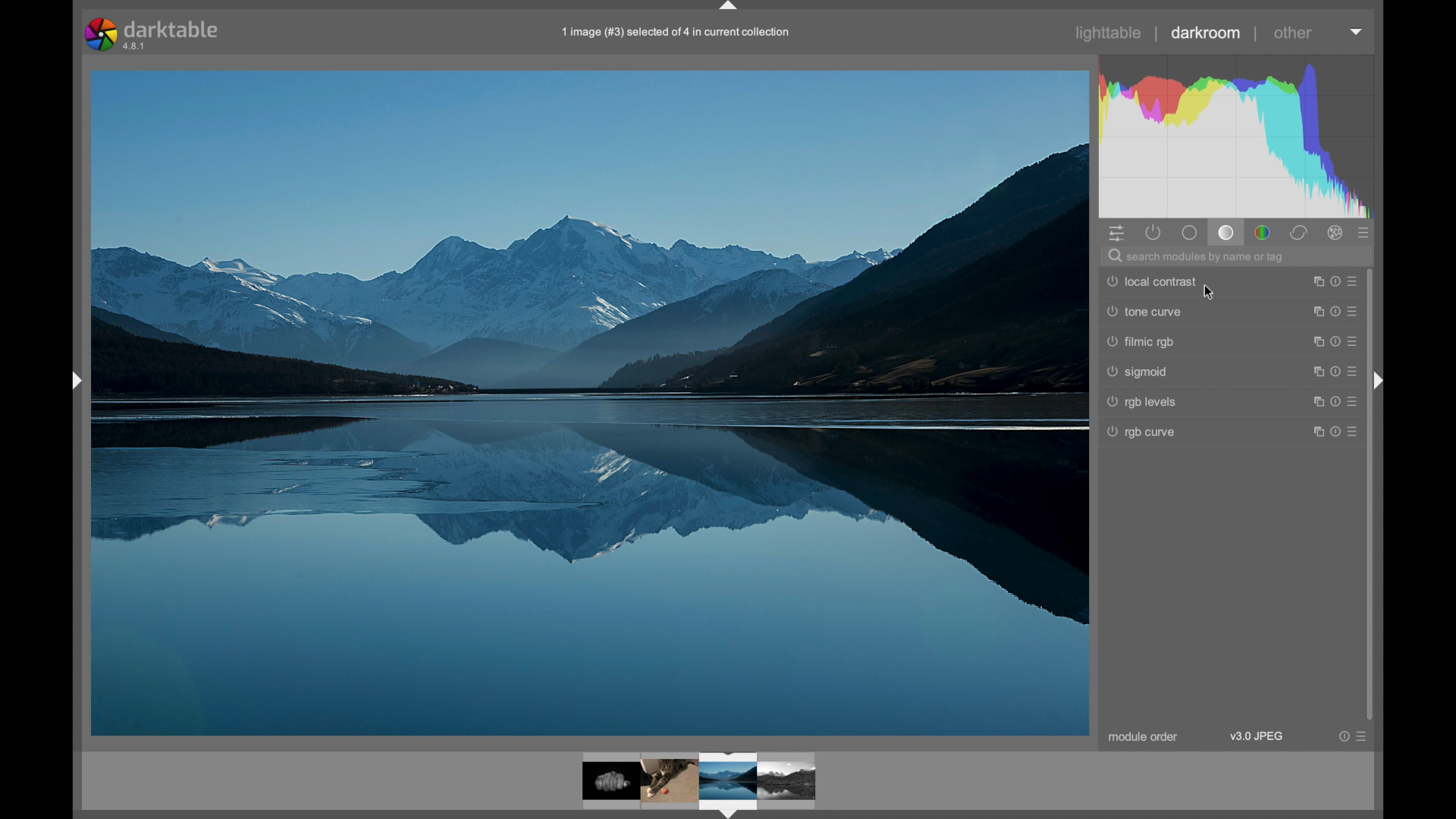 The width and height of the screenshot is (1456, 819). What do you see at coordinates (1142, 342) in the screenshot?
I see `filmic rgb` at bounding box center [1142, 342].